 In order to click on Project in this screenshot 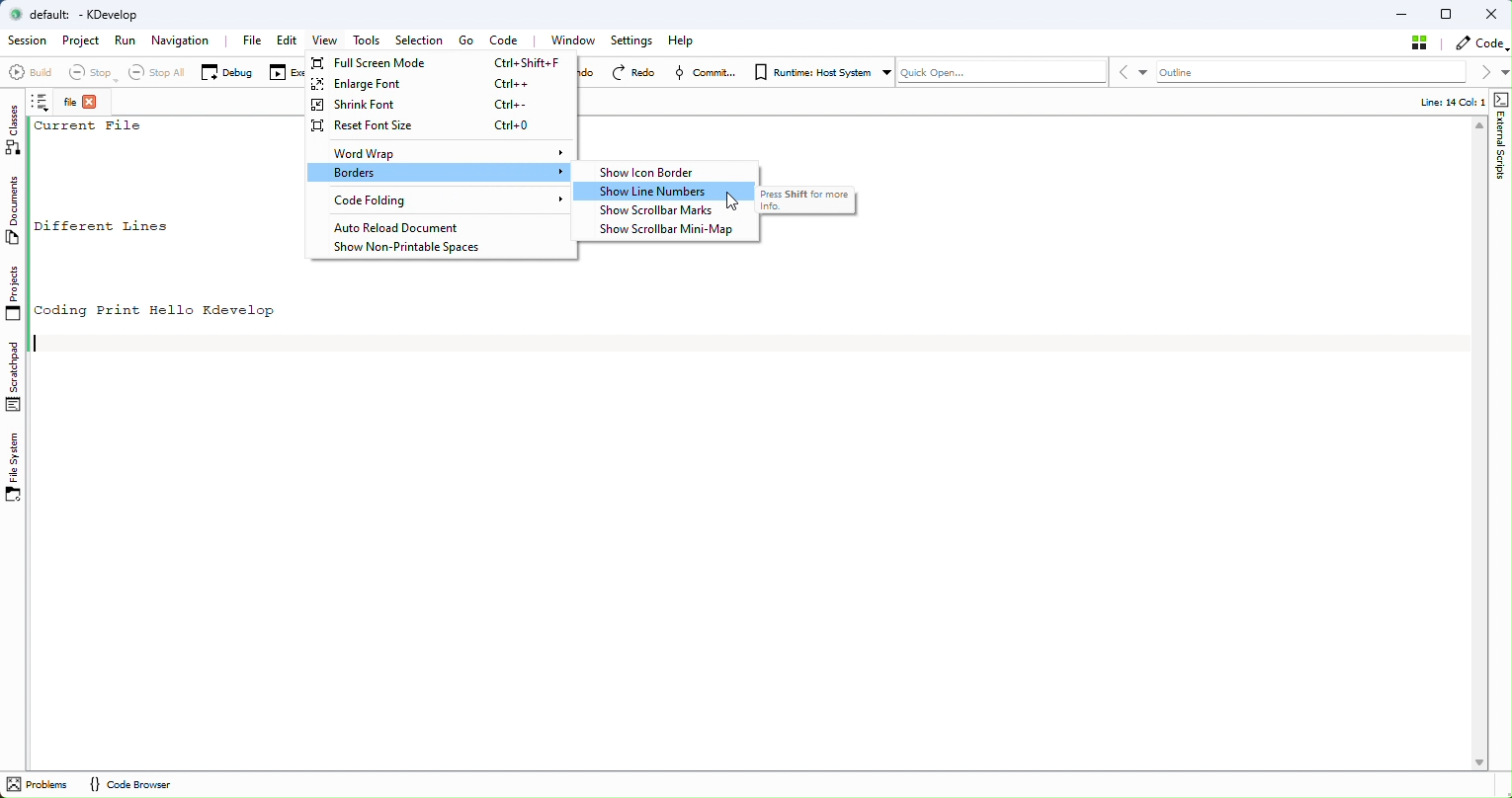, I will do `click(81, 42)`.